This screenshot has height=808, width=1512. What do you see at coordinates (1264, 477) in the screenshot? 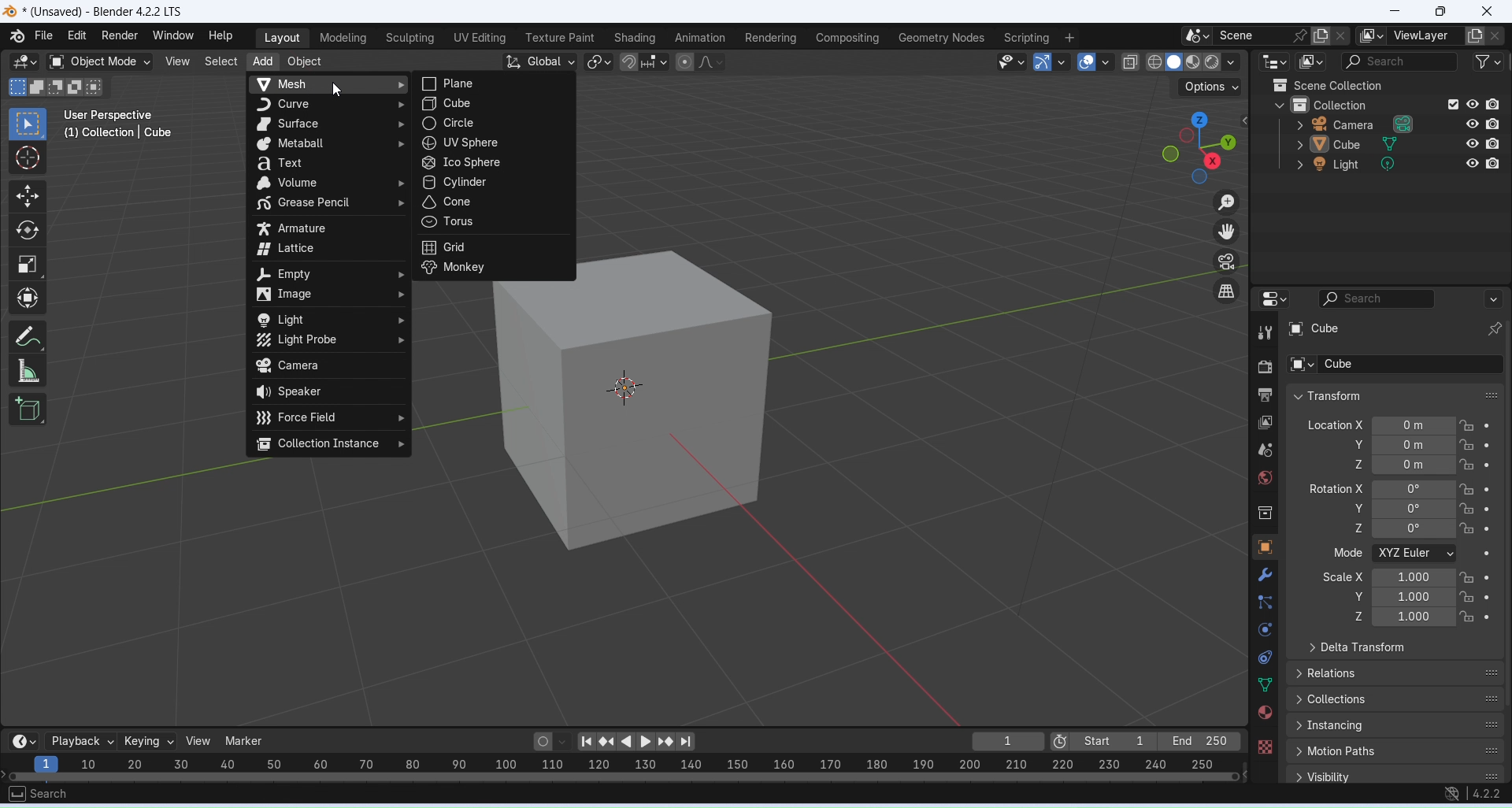
I see `World` at bounding box center [1264, 477].